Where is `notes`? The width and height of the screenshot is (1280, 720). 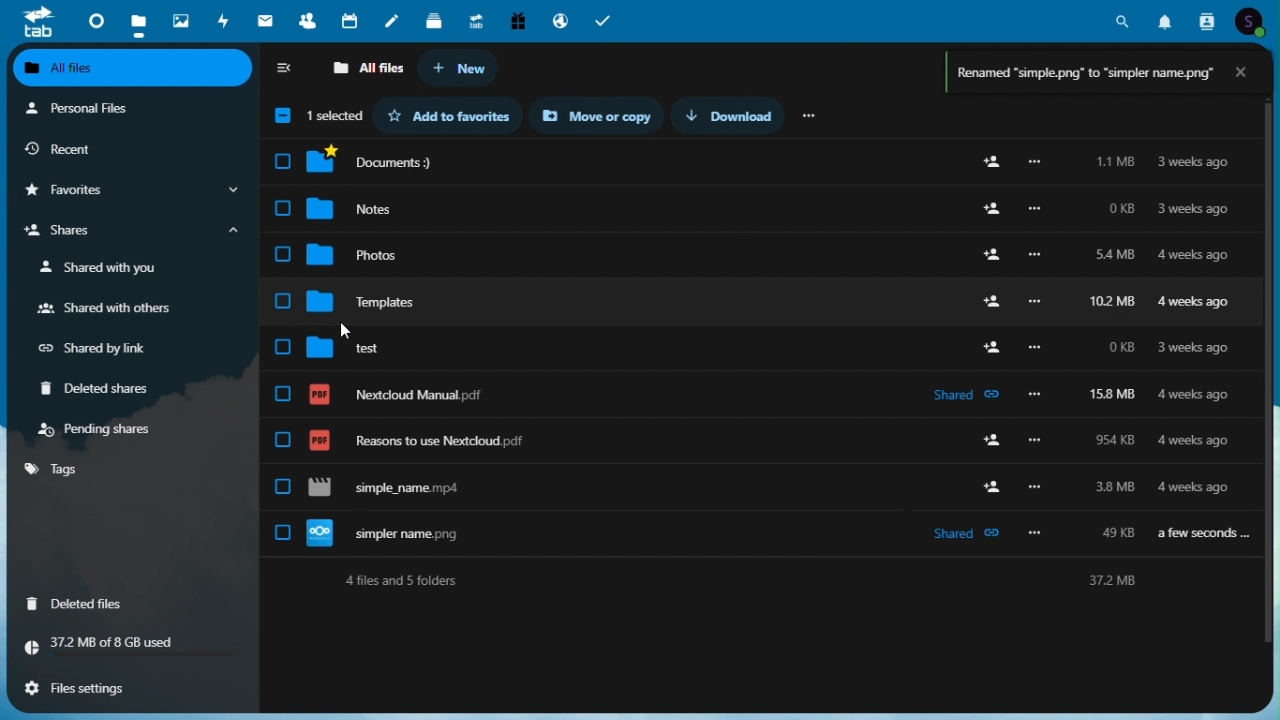 notes is located at coordinates (396, 20).